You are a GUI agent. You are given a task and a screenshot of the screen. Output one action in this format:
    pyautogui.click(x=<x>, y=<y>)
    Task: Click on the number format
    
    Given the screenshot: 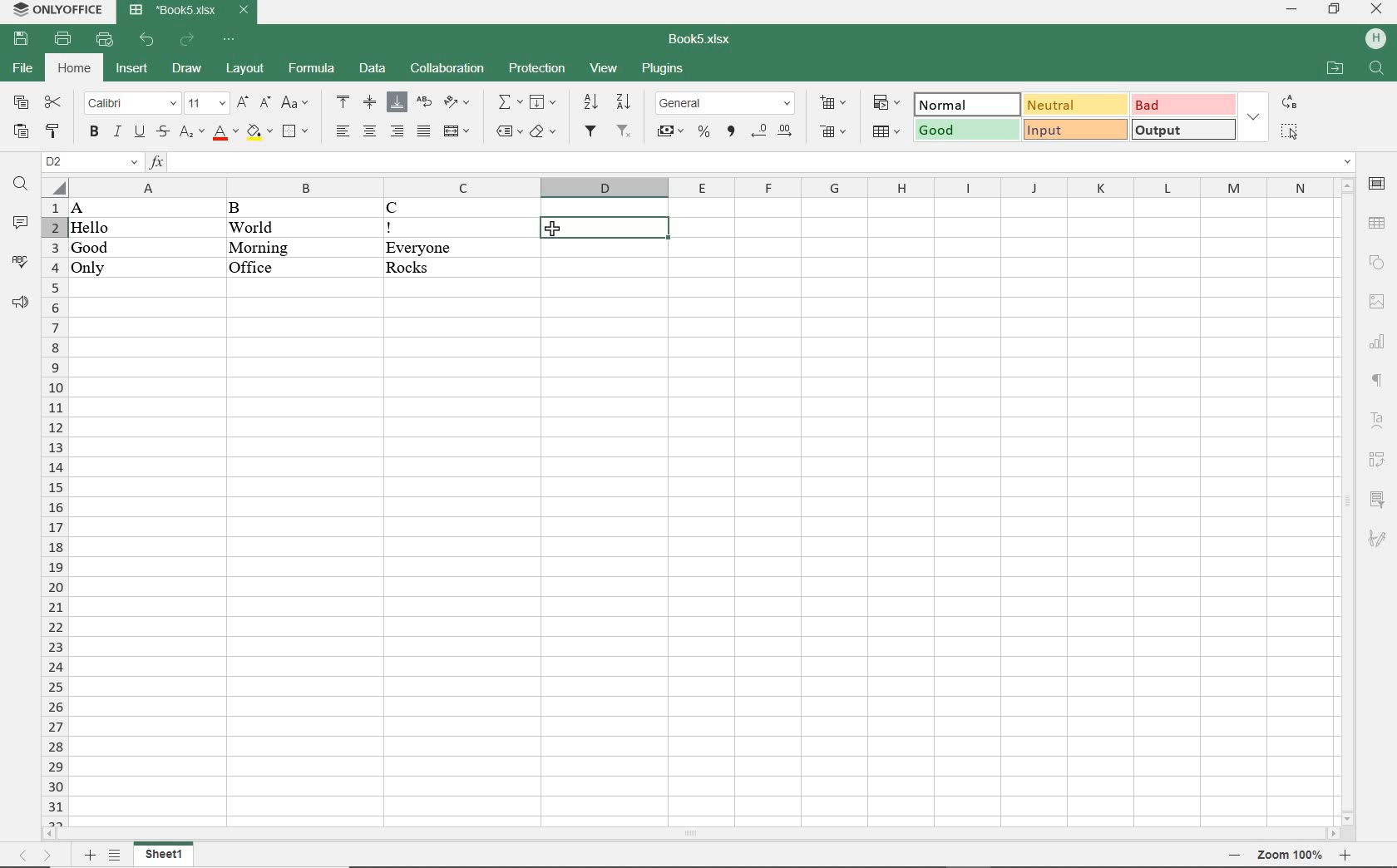 What is the action you would take?
    pyautogui.click(x=727, y=103)
    